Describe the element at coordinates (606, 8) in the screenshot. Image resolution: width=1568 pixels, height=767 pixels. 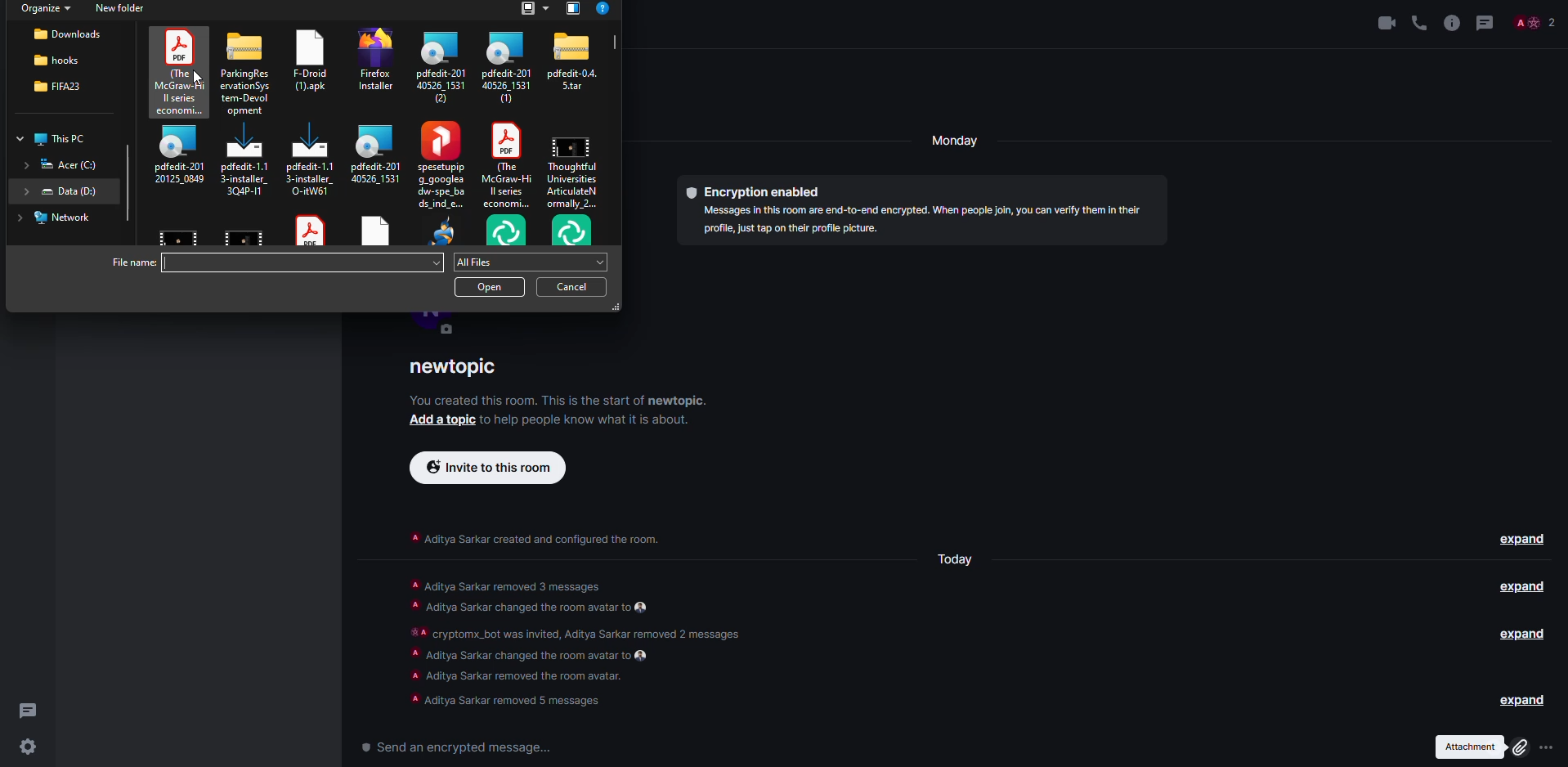
I see `?` at that location.